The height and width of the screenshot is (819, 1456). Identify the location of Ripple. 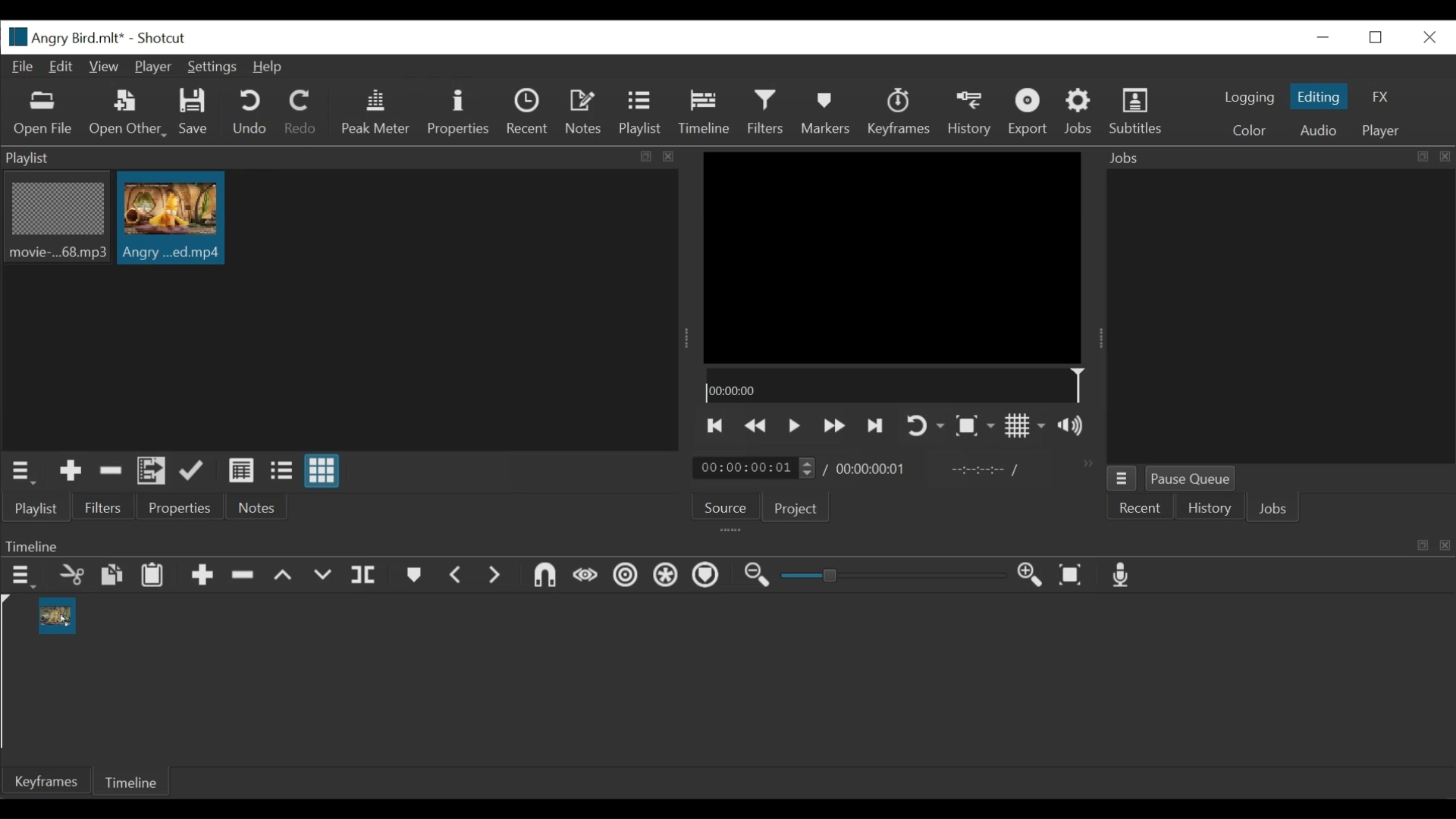
(626, 578).